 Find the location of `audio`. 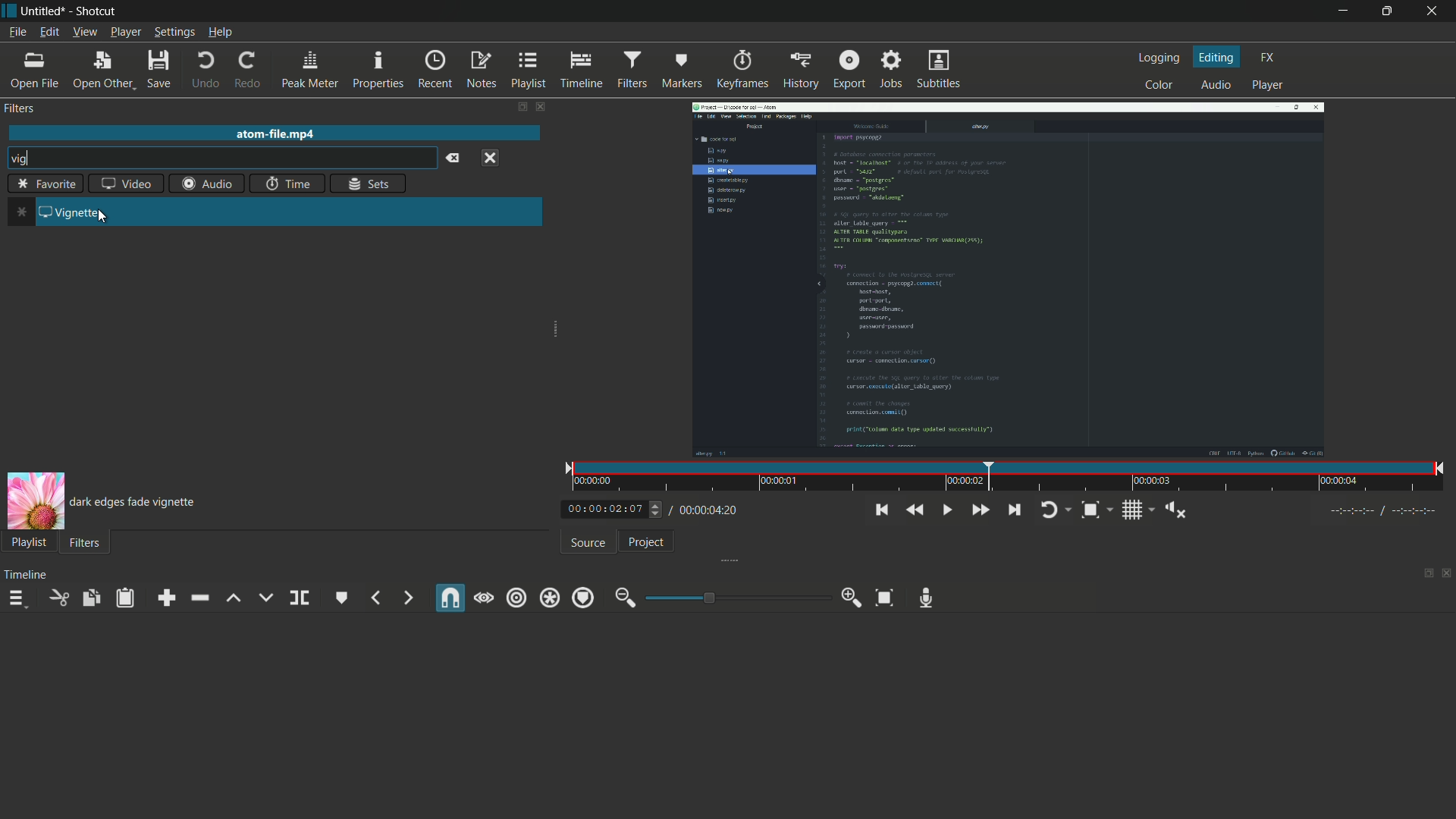

audio is located at coordinates (1219, 85).